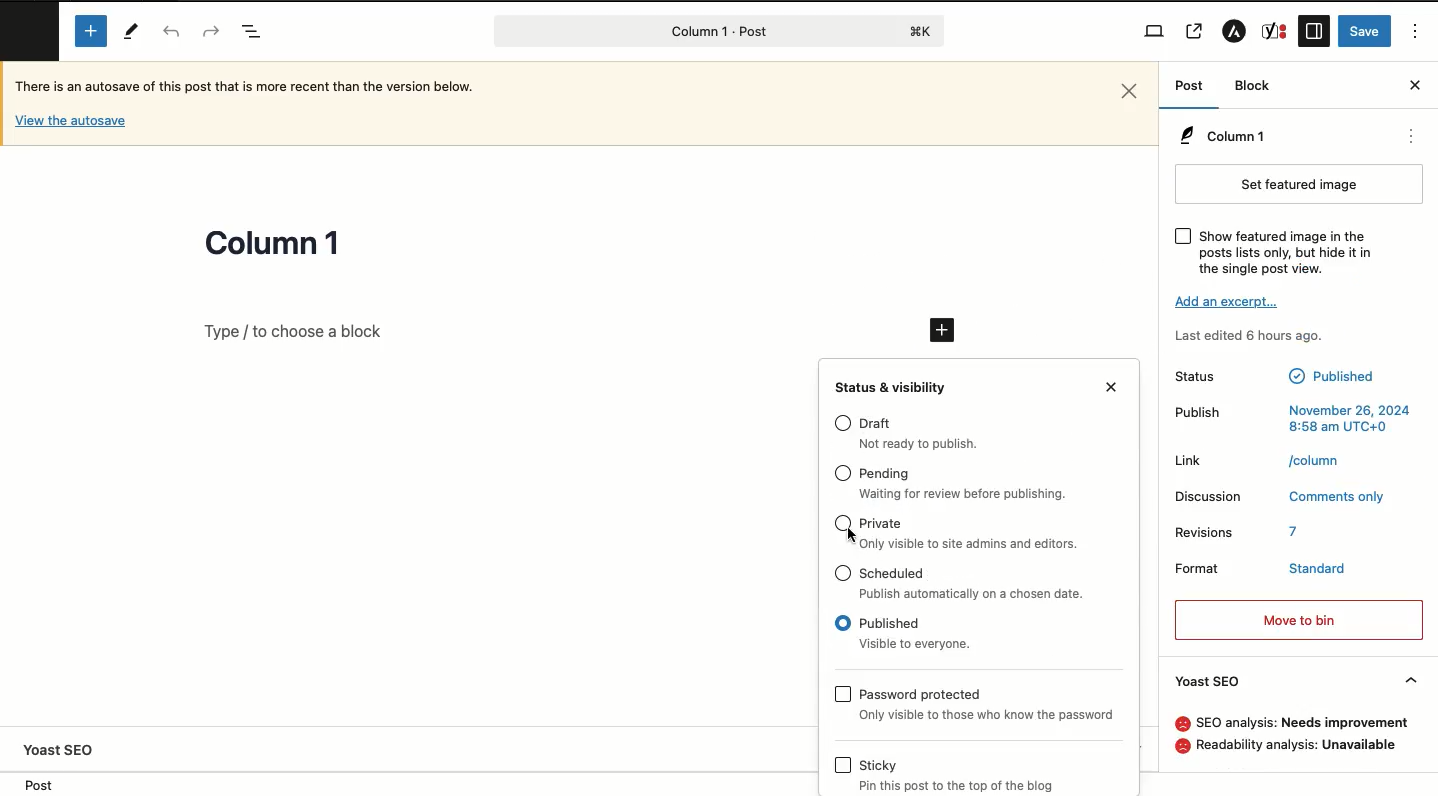  I want to click on Checkbox, so click(844, 765).